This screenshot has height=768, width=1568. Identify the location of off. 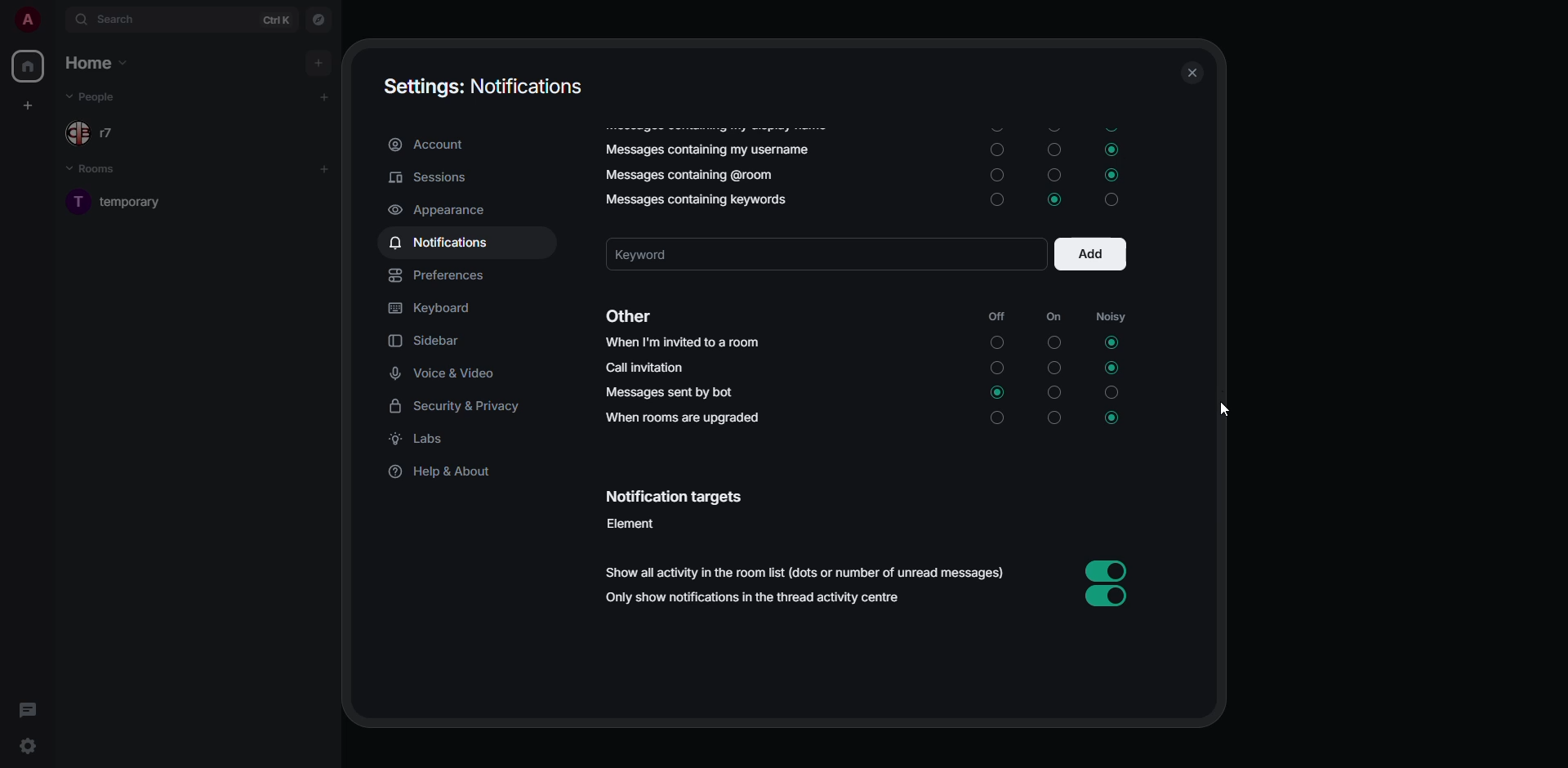
(1053, 148).